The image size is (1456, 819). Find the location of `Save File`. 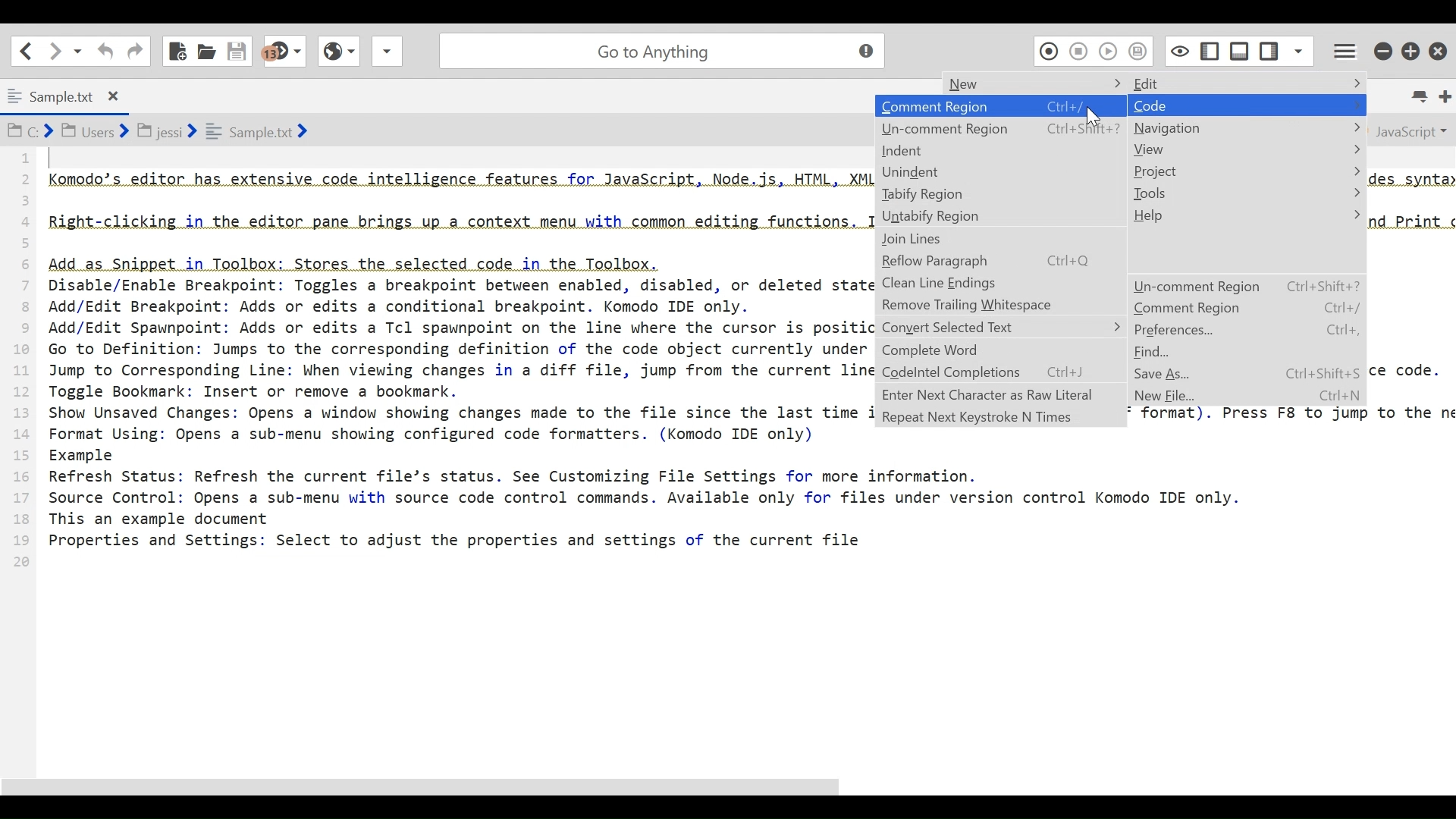

Save File is located at coordinates (239, 49).